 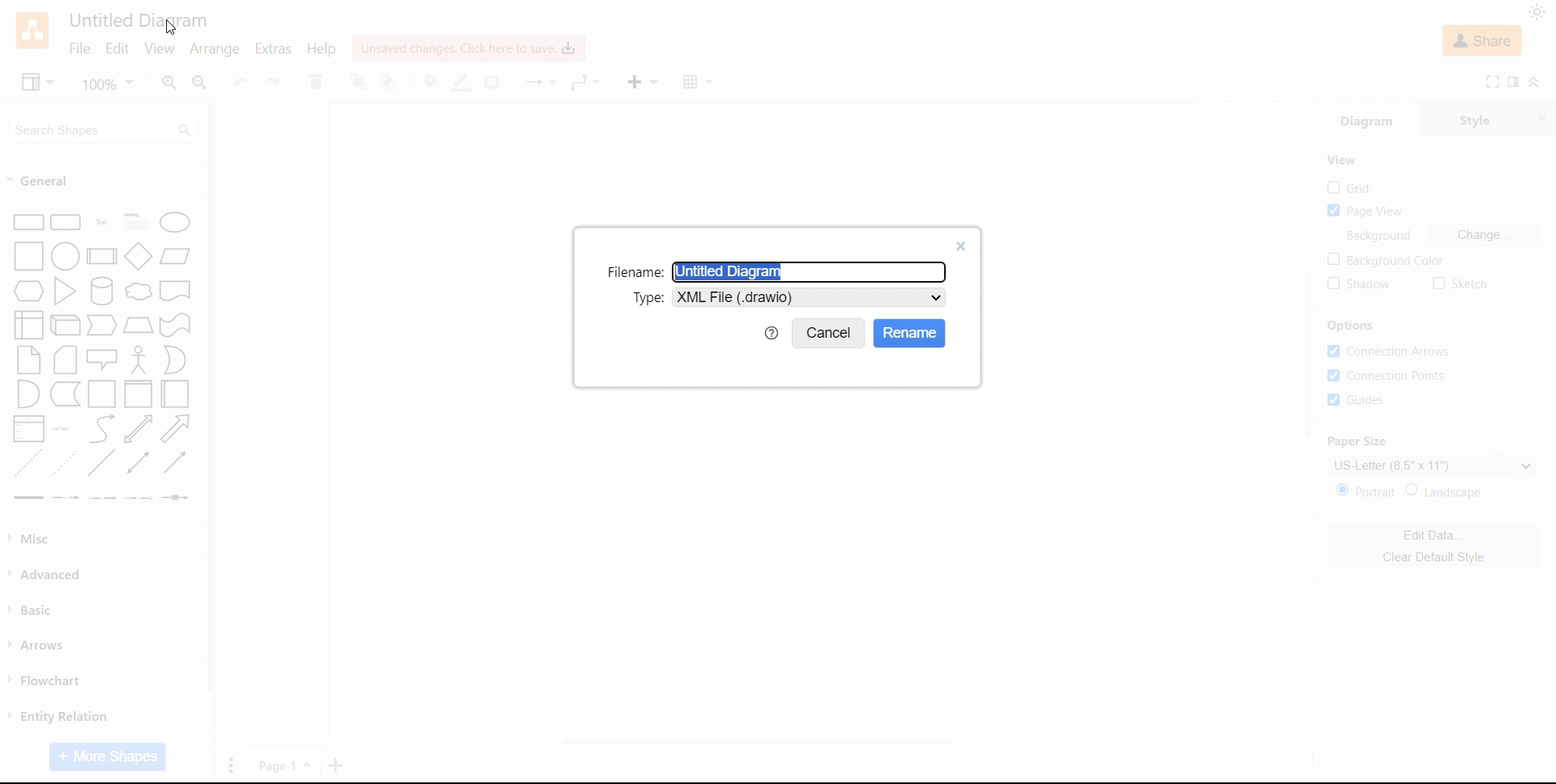 What do you see at coordinates (41, 181) in the screenshot?
I see `General ` at bounding box center [41, 181].